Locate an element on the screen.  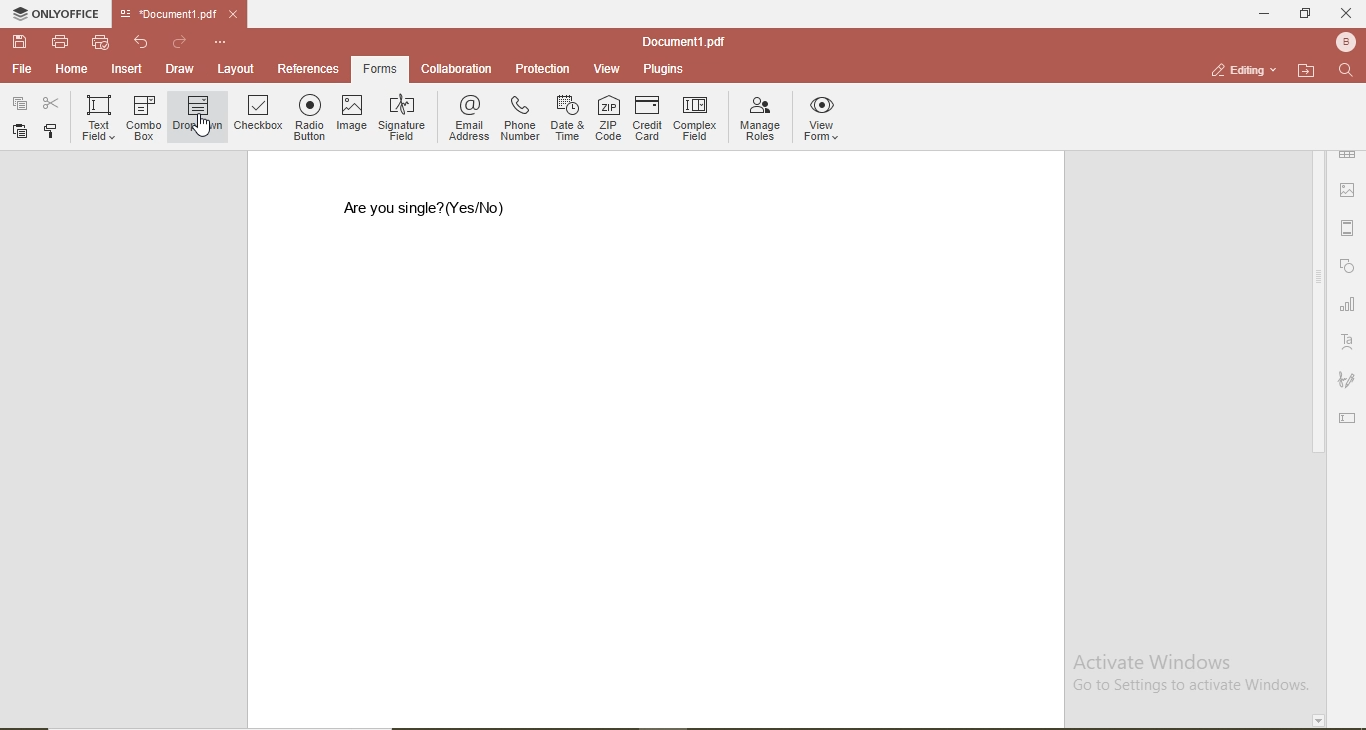
restore is located at coordinates (1308, 16).